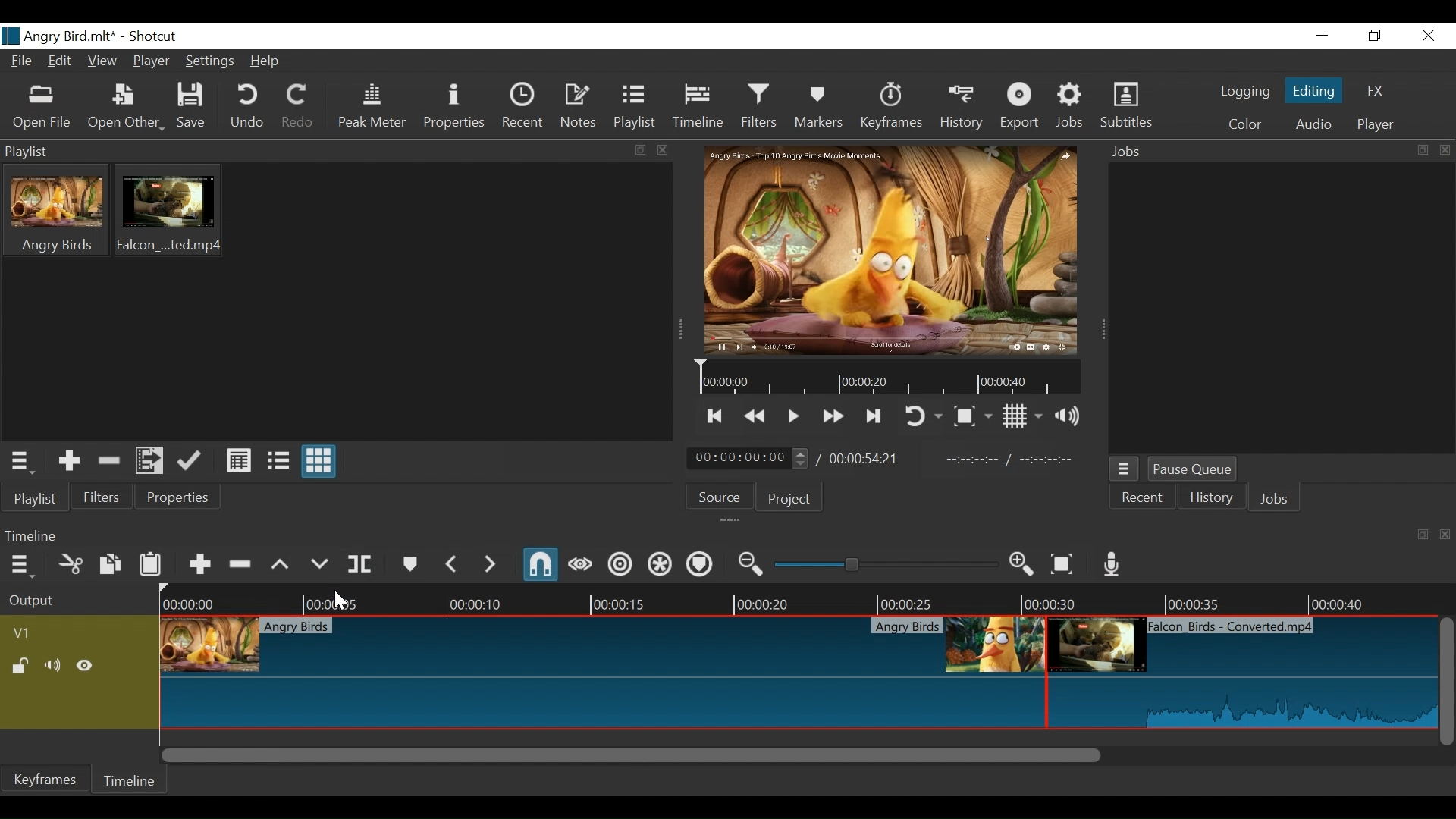  I want to click on Source, so click(718, 498).